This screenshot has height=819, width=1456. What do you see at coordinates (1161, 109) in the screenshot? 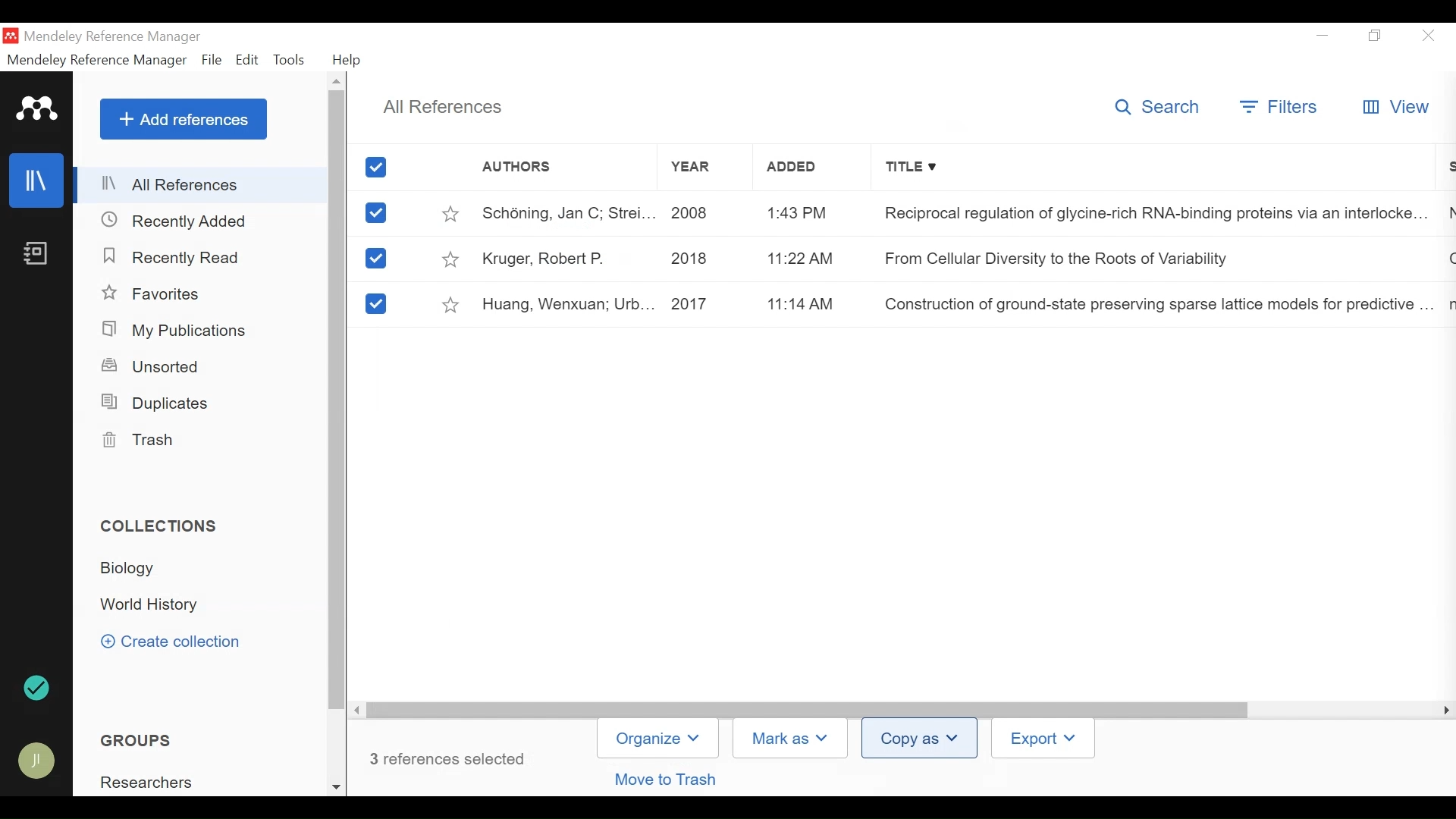
I see `Search` at bounding box center [1161, 109].